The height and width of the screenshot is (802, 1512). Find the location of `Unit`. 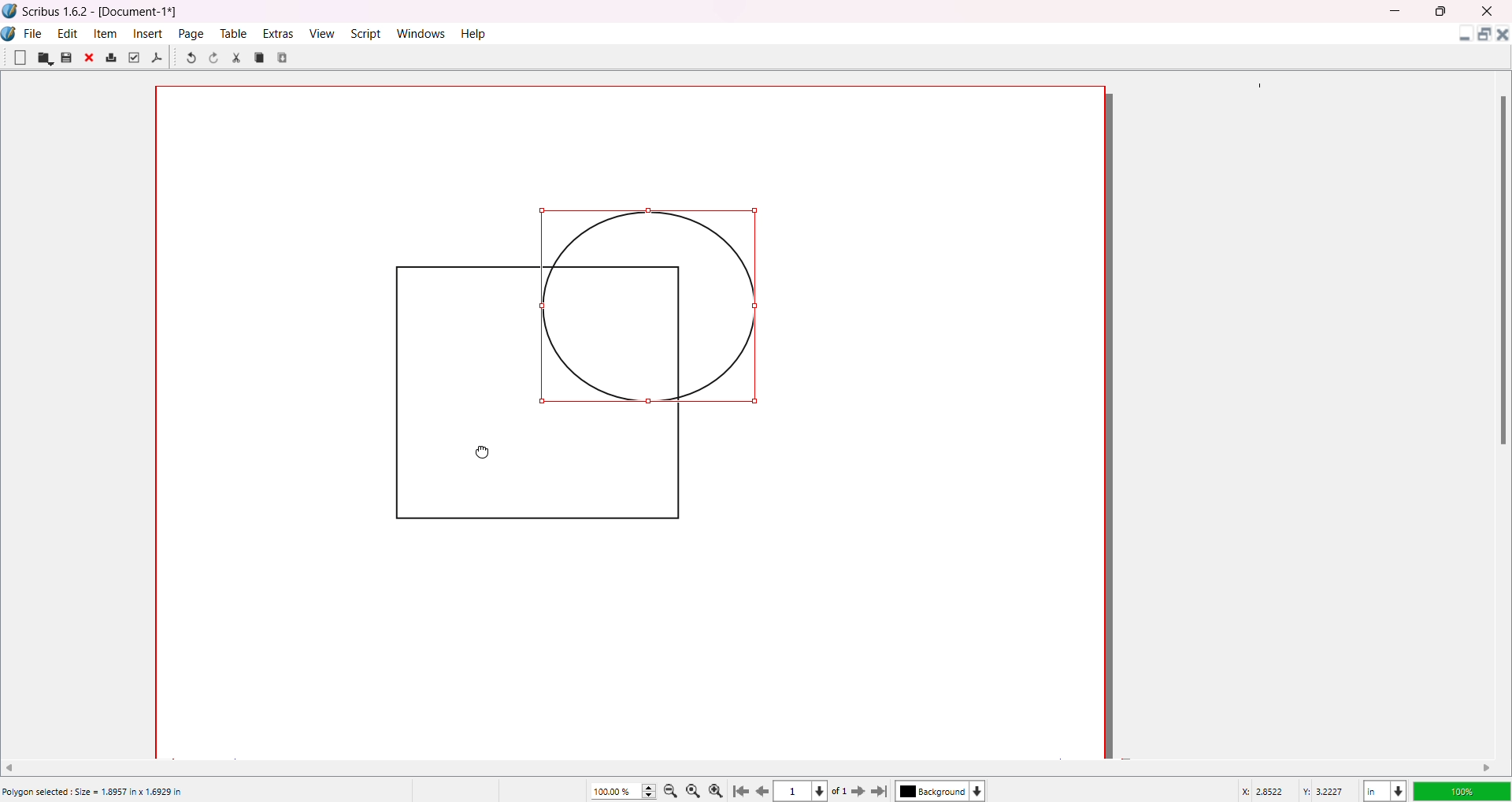

Unit is located at coordinates (1384, 789).